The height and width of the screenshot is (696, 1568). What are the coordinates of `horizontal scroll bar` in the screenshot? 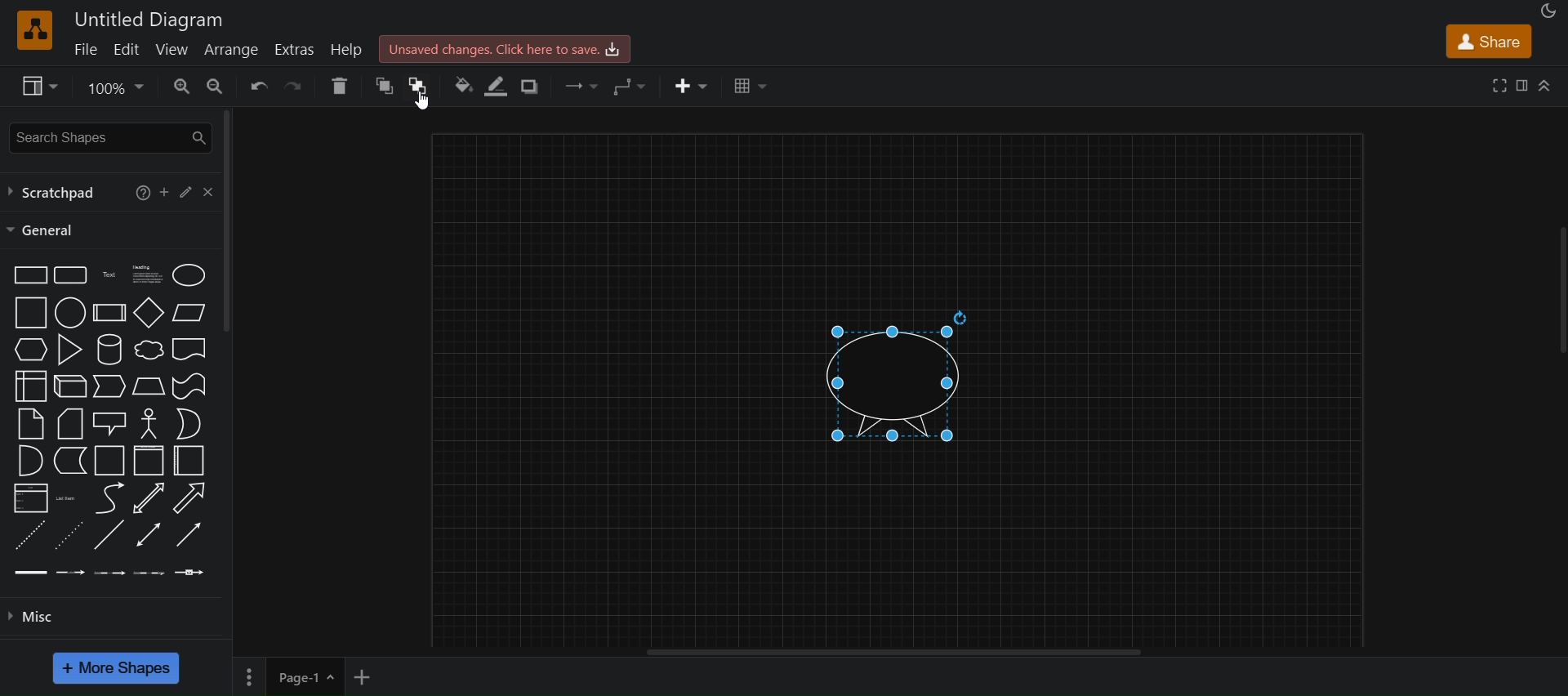 It's located at (898, 655).